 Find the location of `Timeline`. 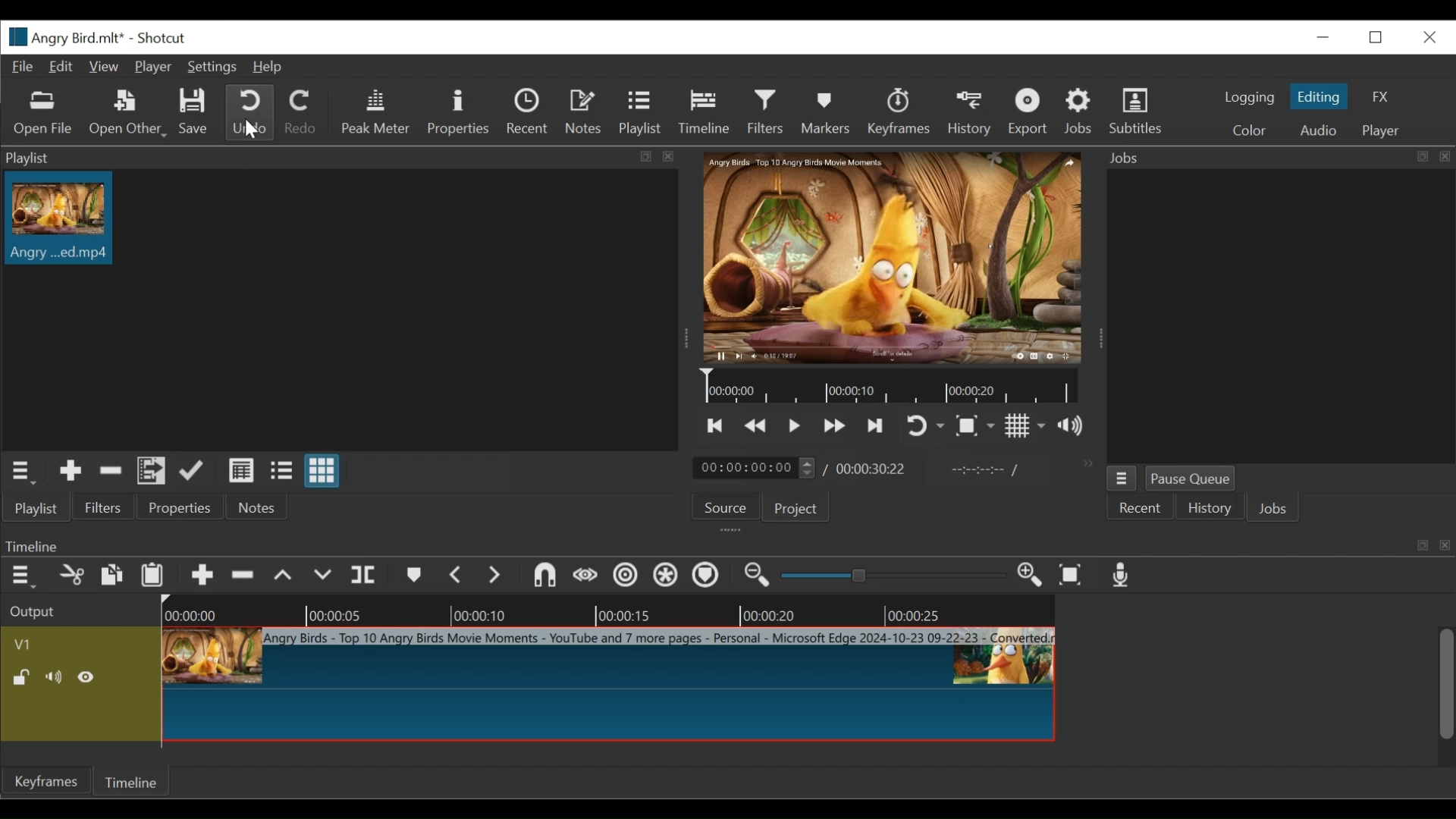

Timeline is located at coordinates (728, 544).